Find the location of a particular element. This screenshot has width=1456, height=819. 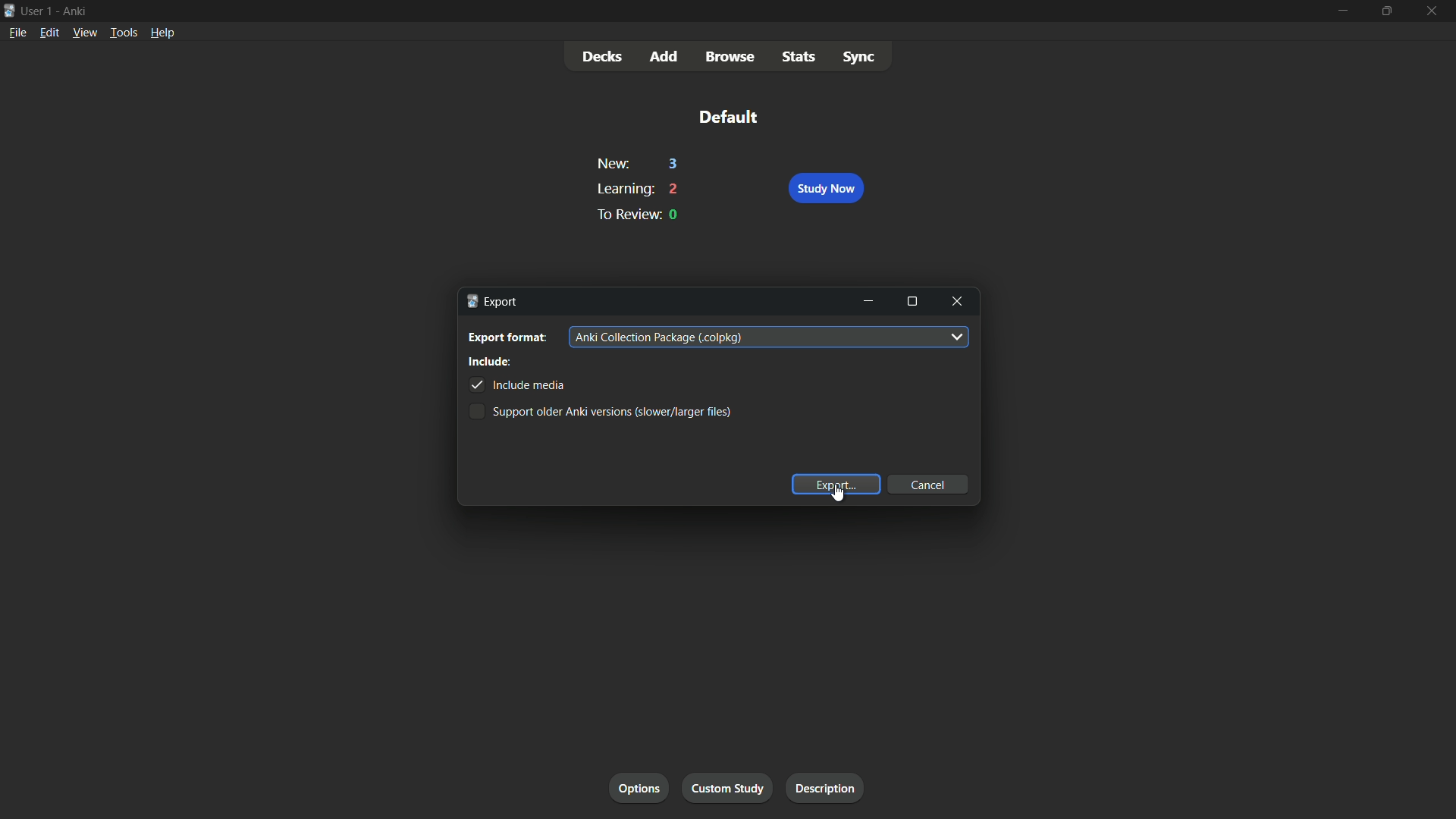

to review is located at coordinates (625, 214).